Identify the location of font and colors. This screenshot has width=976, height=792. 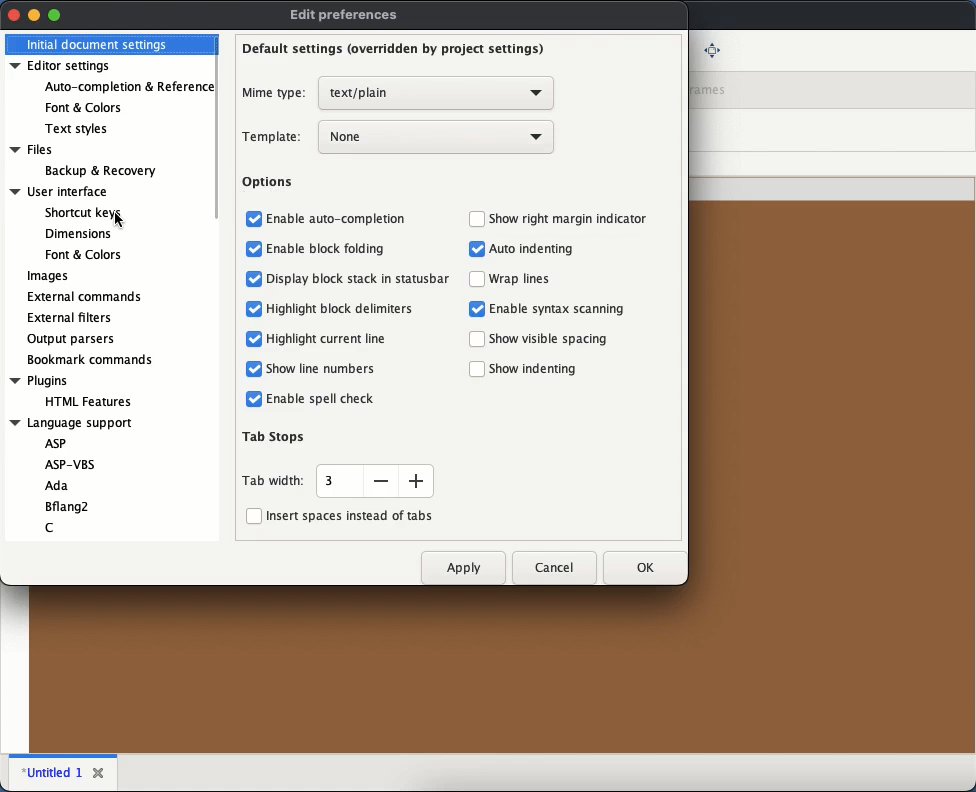
(84, 255).